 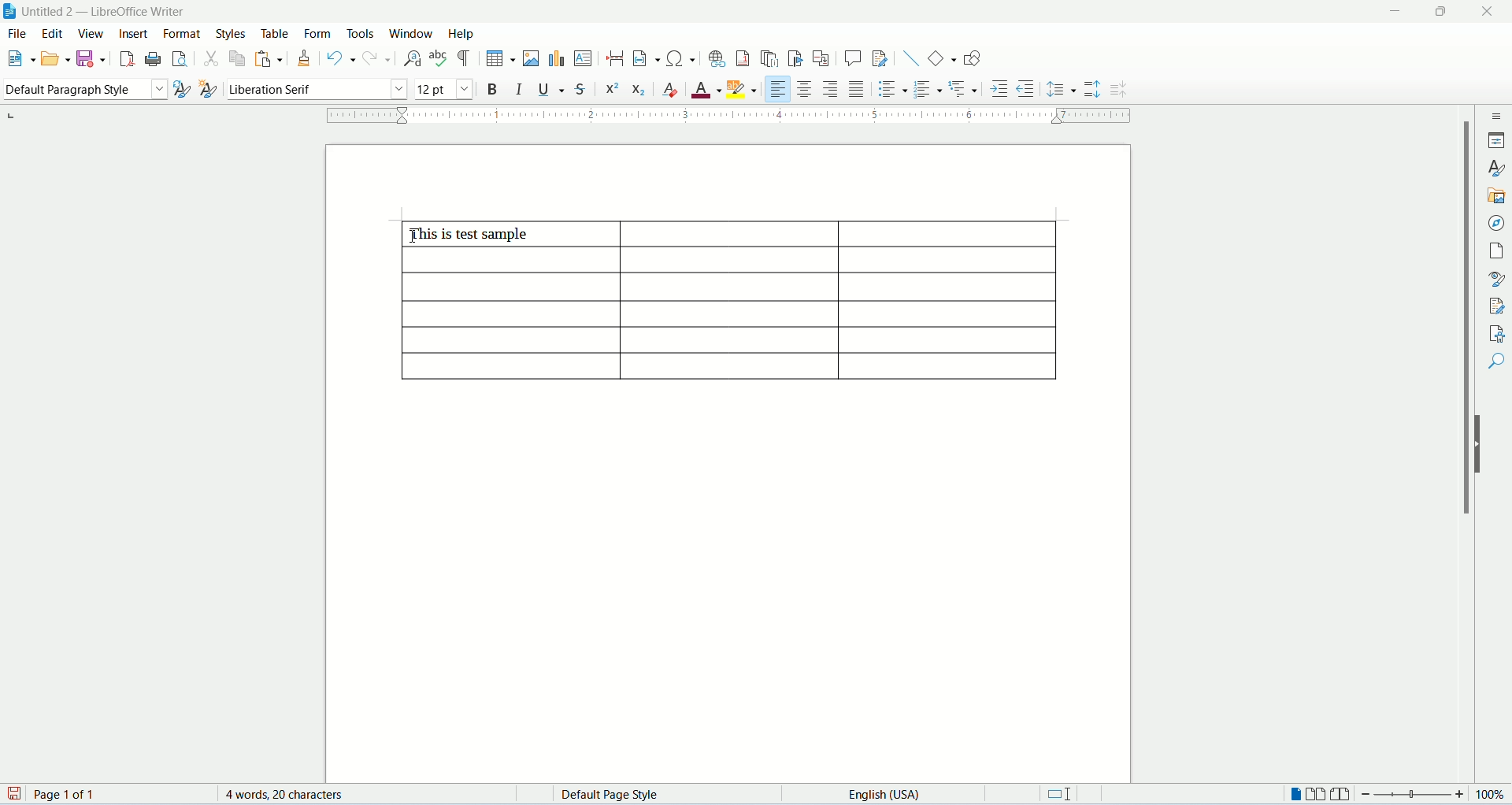 What do you see at coordinates (378, 57) in the screenshot?
I see `redo` at bounding box center [378, 57].